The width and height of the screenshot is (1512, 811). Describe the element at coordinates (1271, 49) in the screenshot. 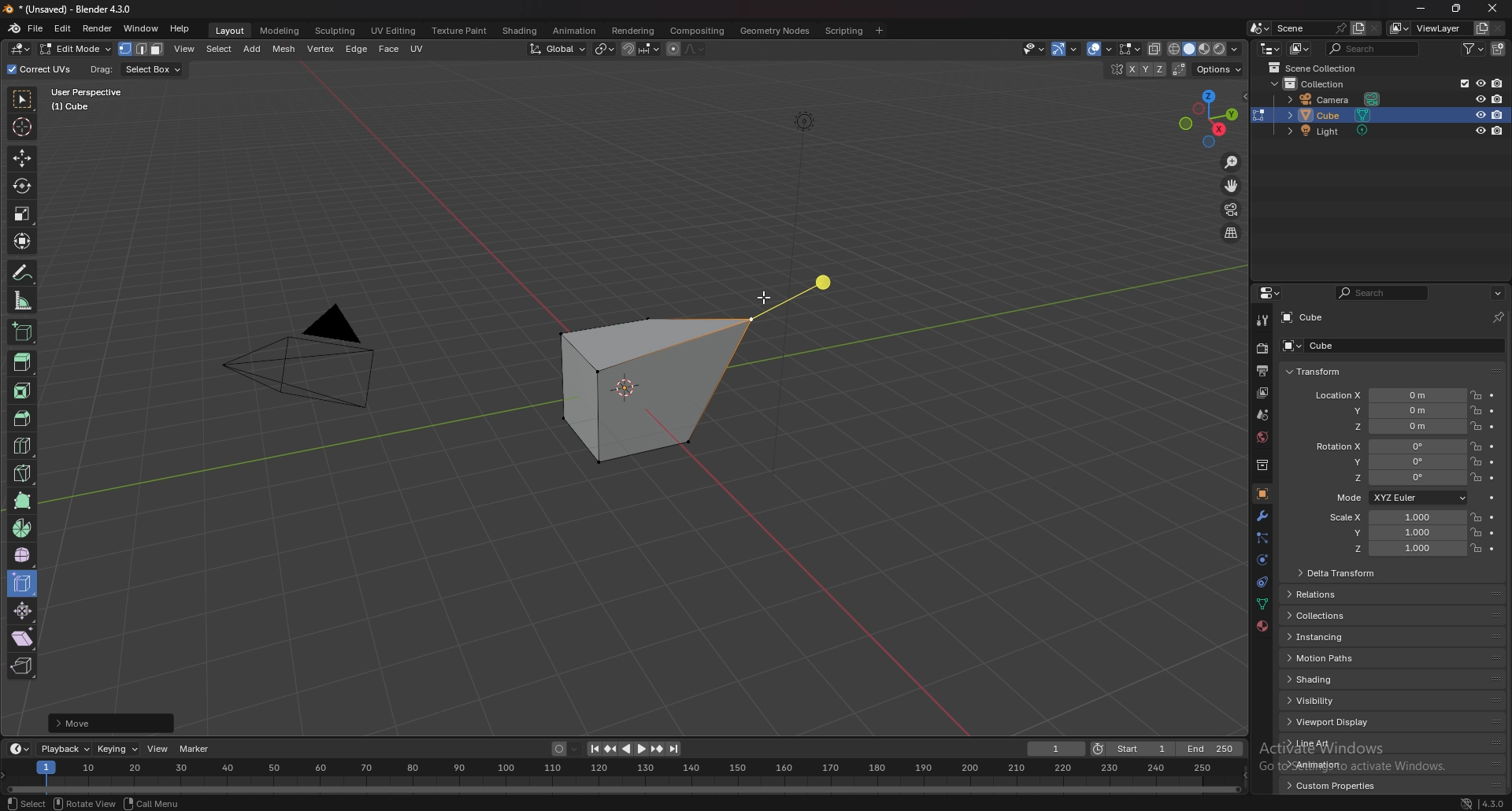

I see `editor type` at that location.